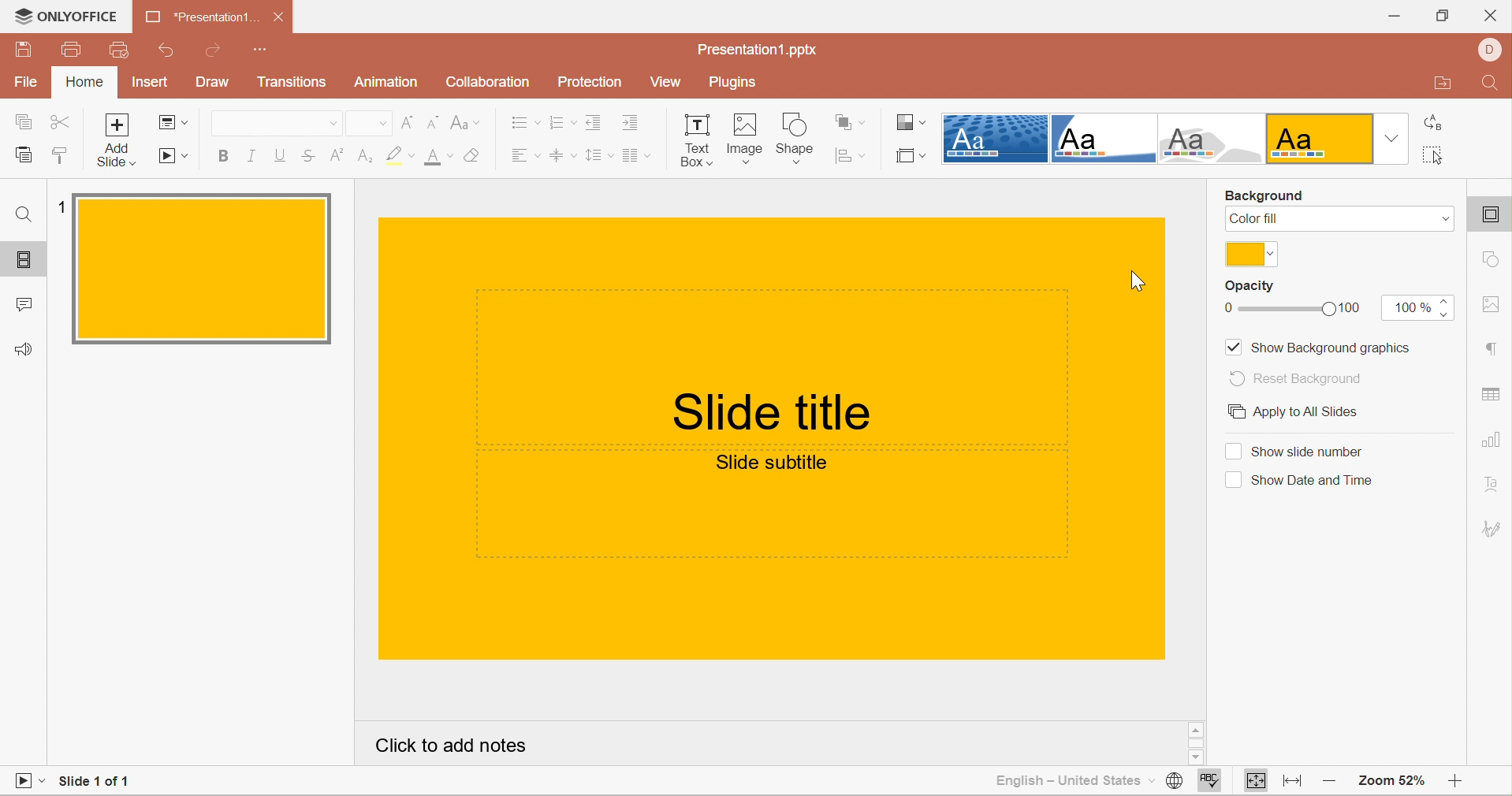 The height and width of the screenshot is (796, 1512). What do you see at coordinates (61, 125) in the screenshot?
I see `Cut` at bounding box center [61, 125].